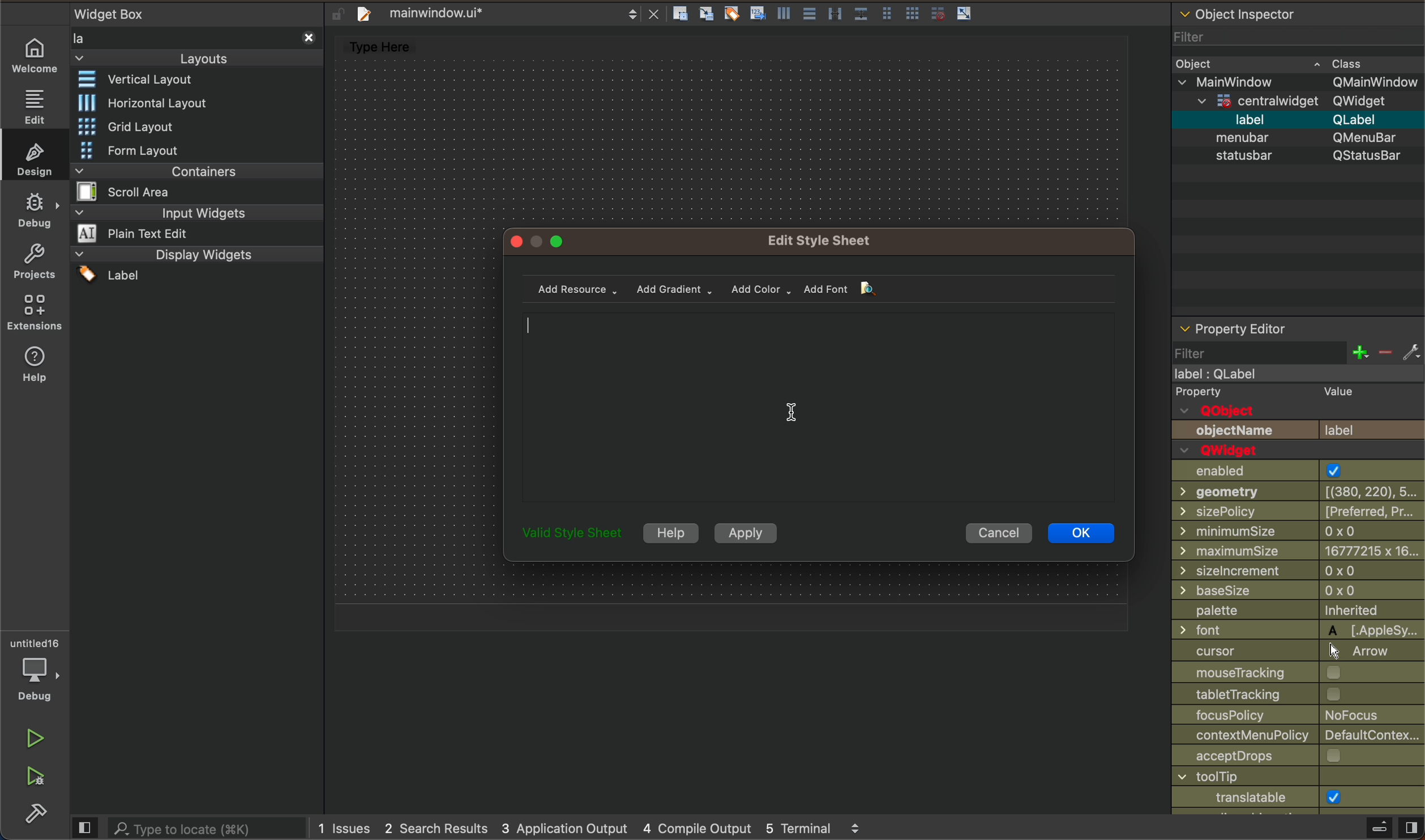 The image size is (1425, 840). What do you see at coordinates (1295, 351) in the screenshot?
I see `filter section` at bounding box center [1295, 351].